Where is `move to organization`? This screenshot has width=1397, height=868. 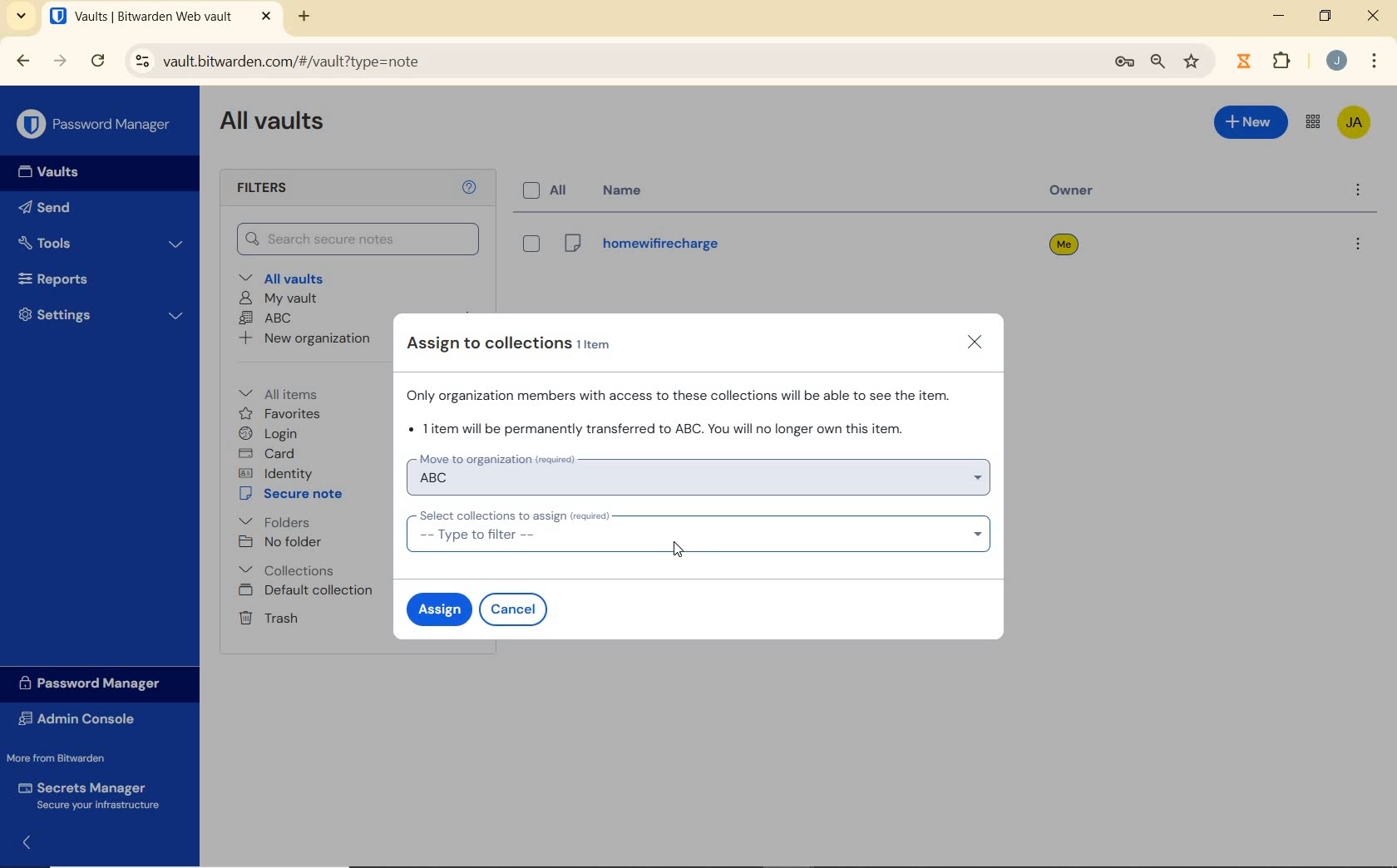
move to organization is located at coordinates (700, 472).